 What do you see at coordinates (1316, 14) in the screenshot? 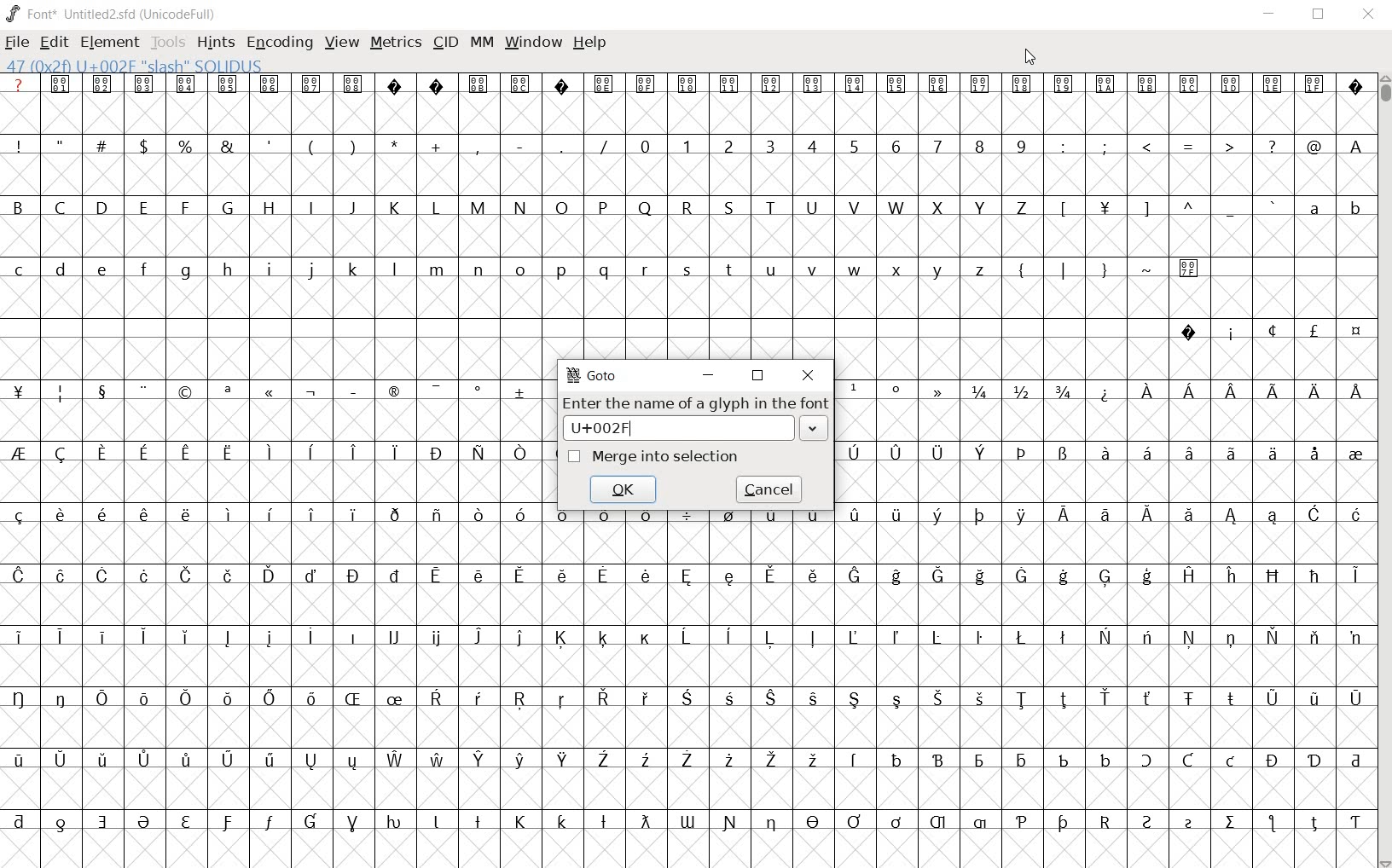
I see `RESTORE` at bounding box center [1316, 14].